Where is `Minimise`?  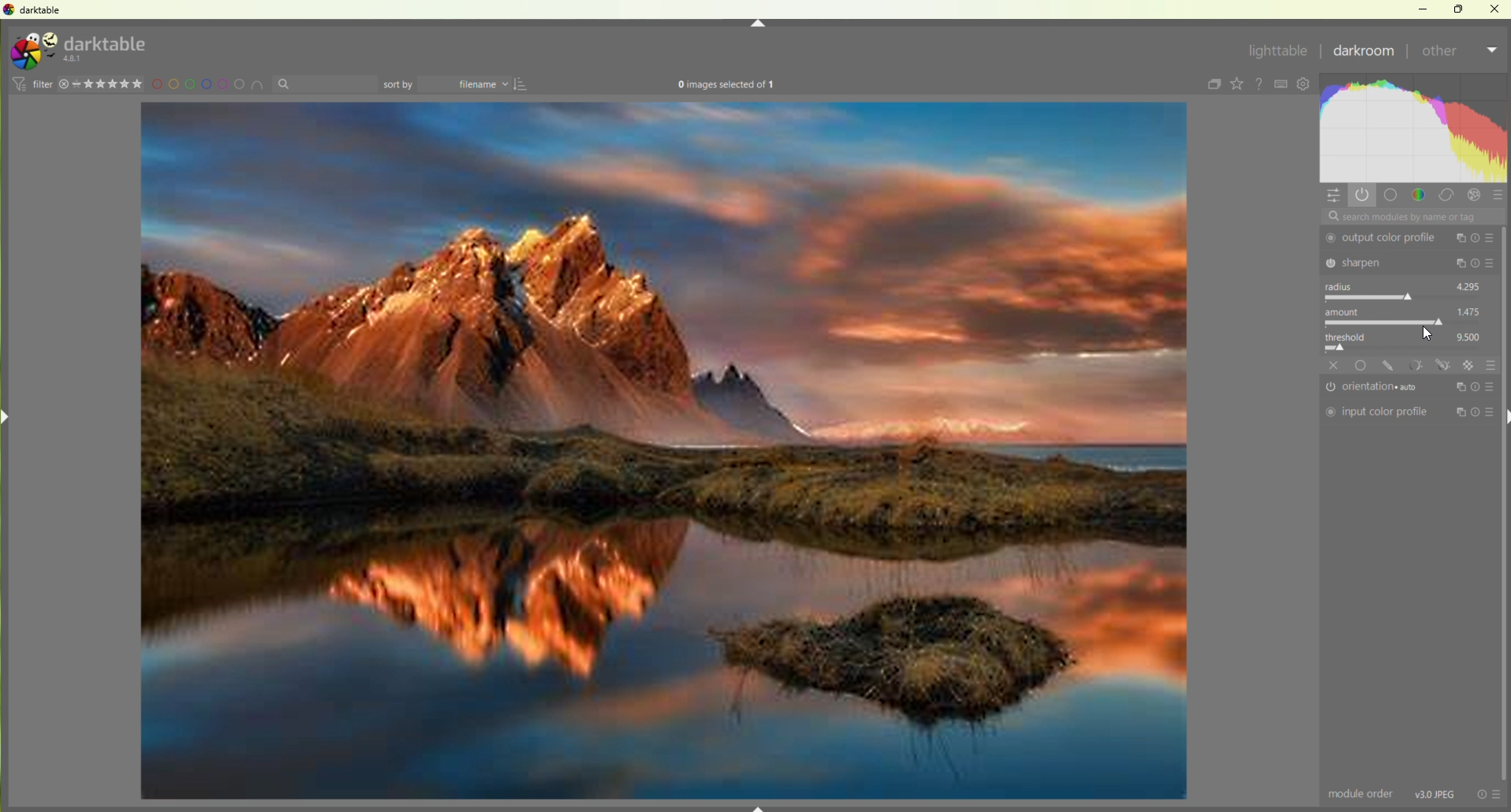
Minimise is located at coordinates (1427, 9).